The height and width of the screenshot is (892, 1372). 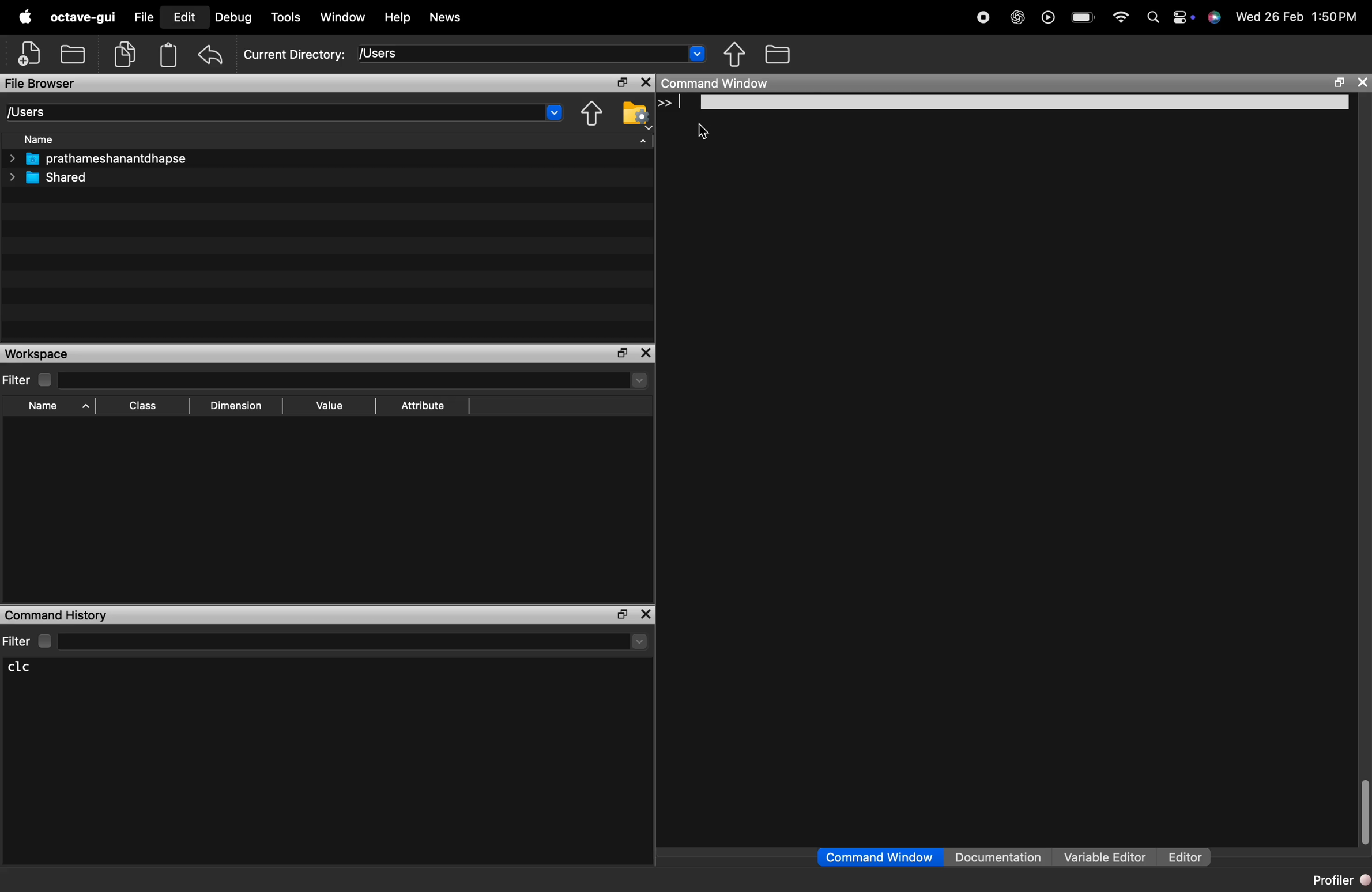 I want to click on open an existing file in directory, so click(x=76, y=54).